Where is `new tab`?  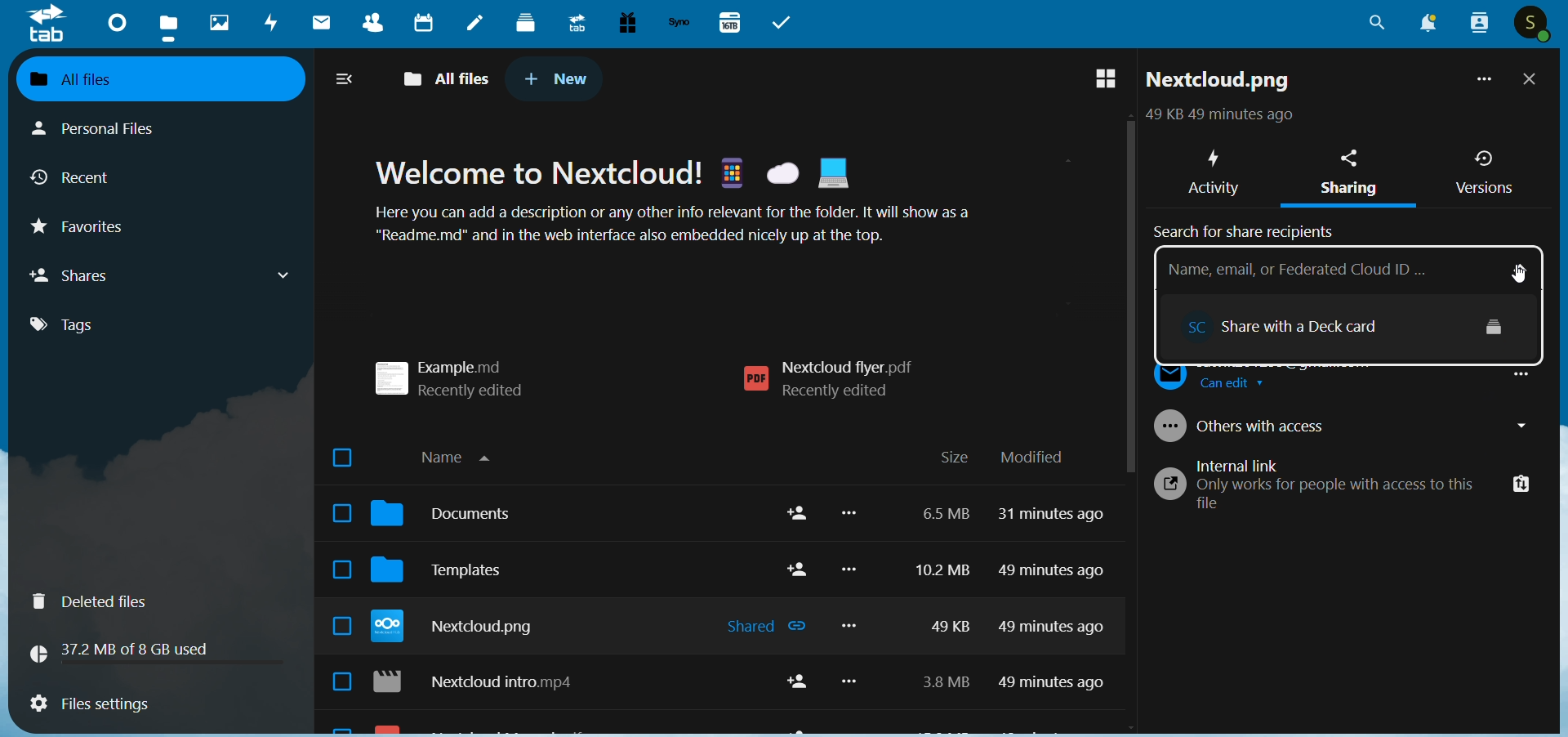 new tab is located at coordinates (557, 78).